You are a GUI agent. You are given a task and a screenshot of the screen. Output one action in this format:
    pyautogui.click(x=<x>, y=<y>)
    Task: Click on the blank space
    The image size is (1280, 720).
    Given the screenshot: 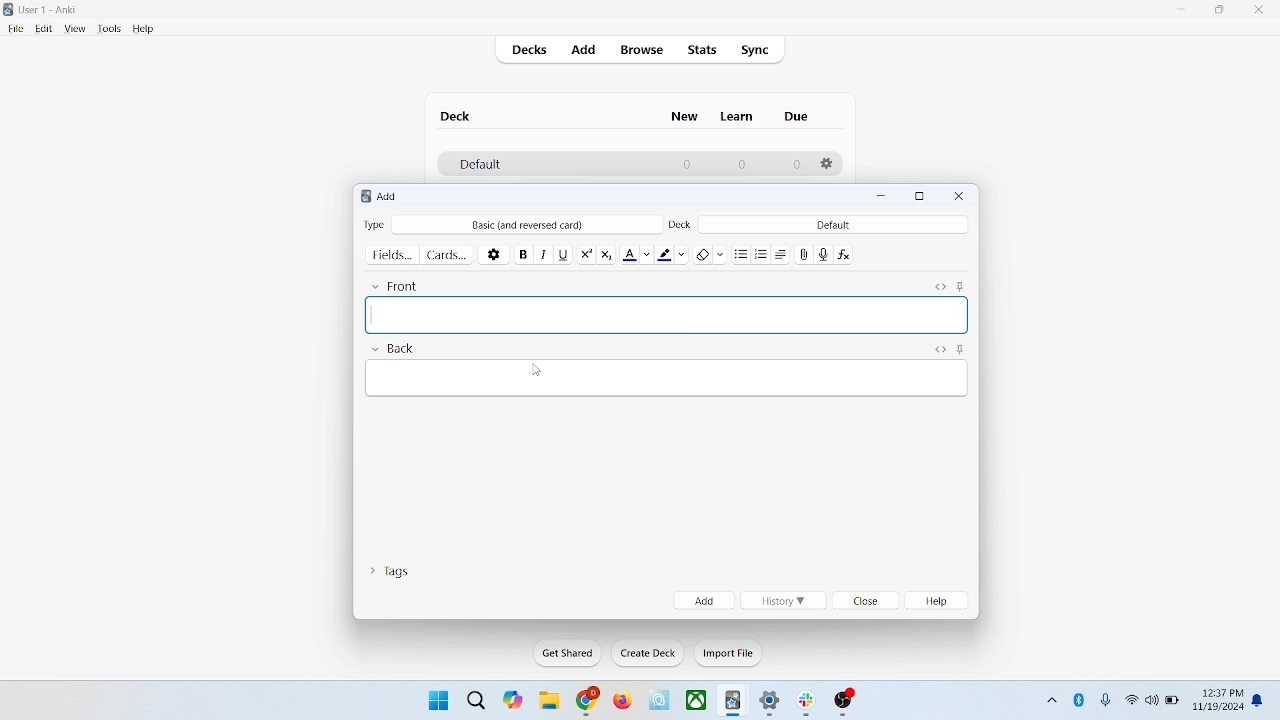 What is the action you would take?
    pyautogui.click(x=668, y=377)
    